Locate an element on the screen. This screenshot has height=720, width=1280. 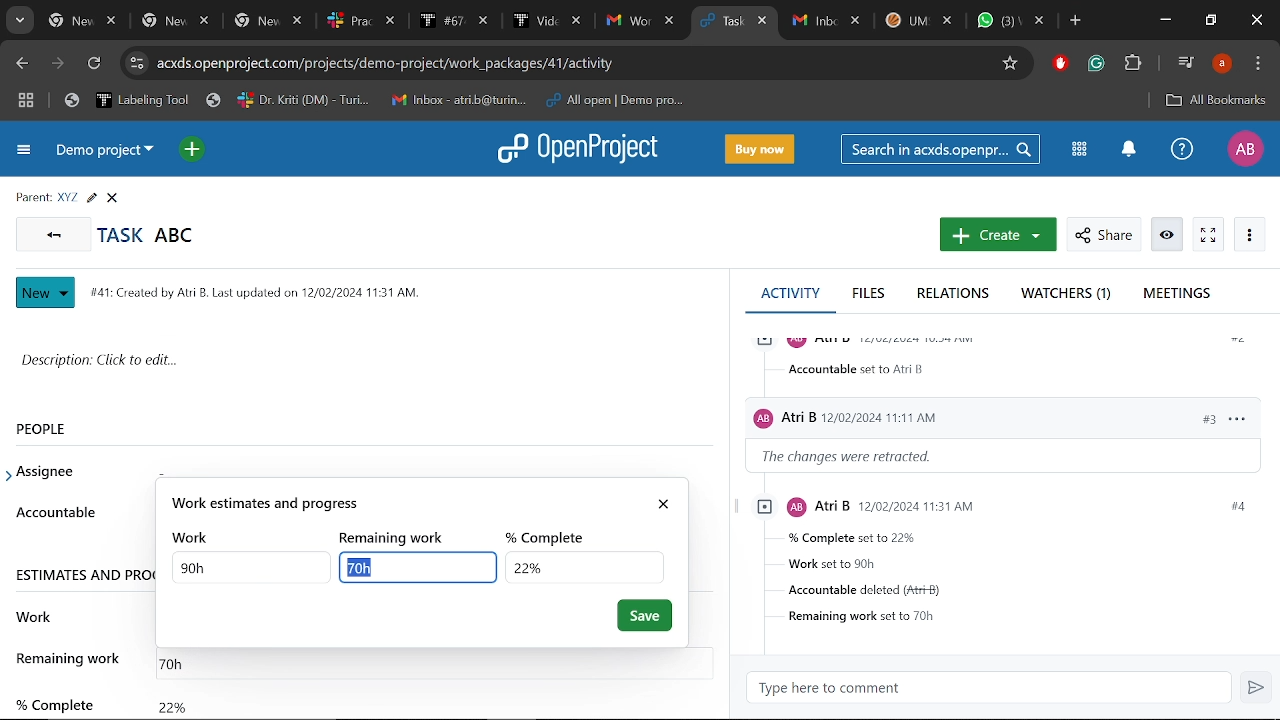
Tab groups is located at coordinates (26, 102).